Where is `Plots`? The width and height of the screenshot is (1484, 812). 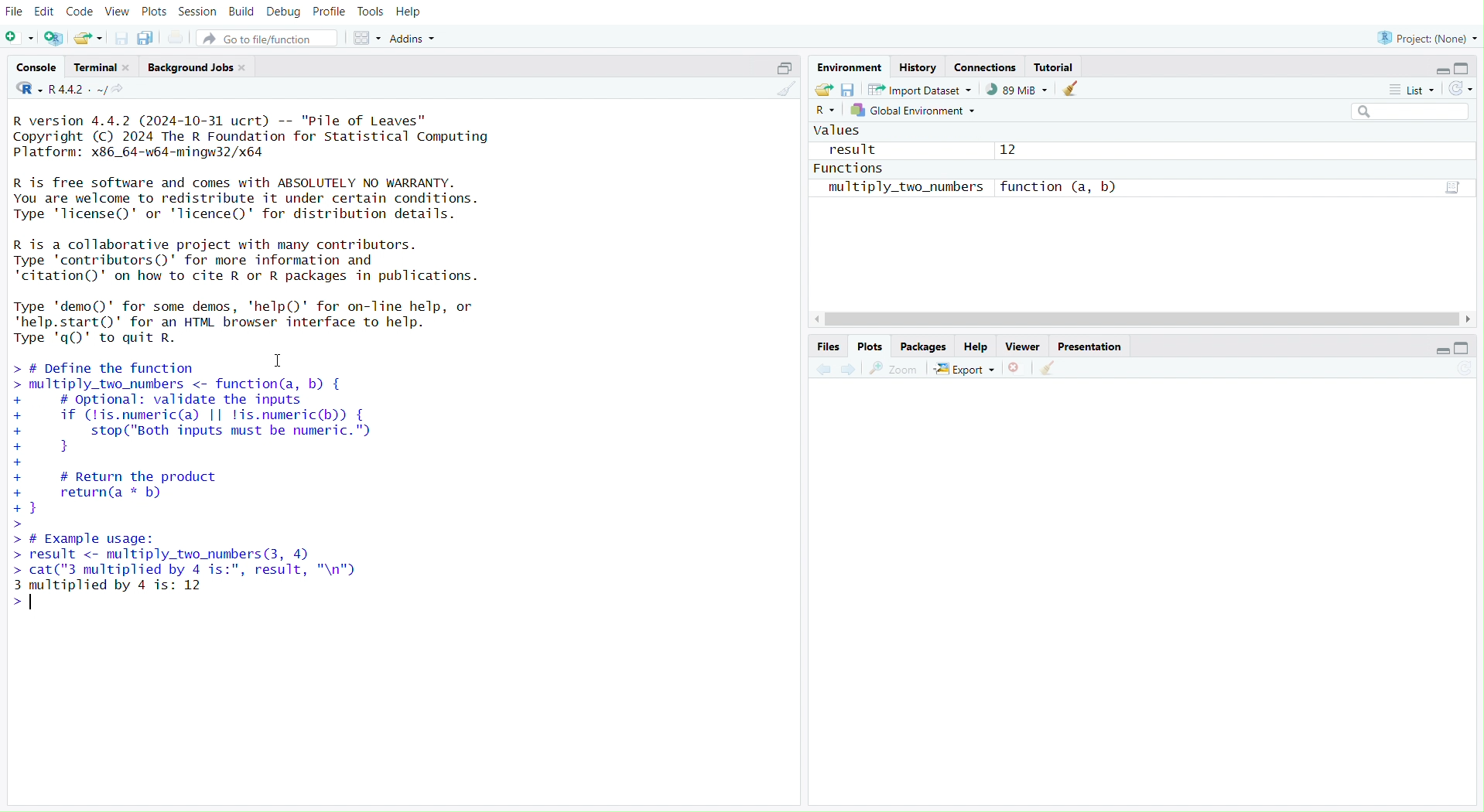
Plots is located at coordinates (870, 347).